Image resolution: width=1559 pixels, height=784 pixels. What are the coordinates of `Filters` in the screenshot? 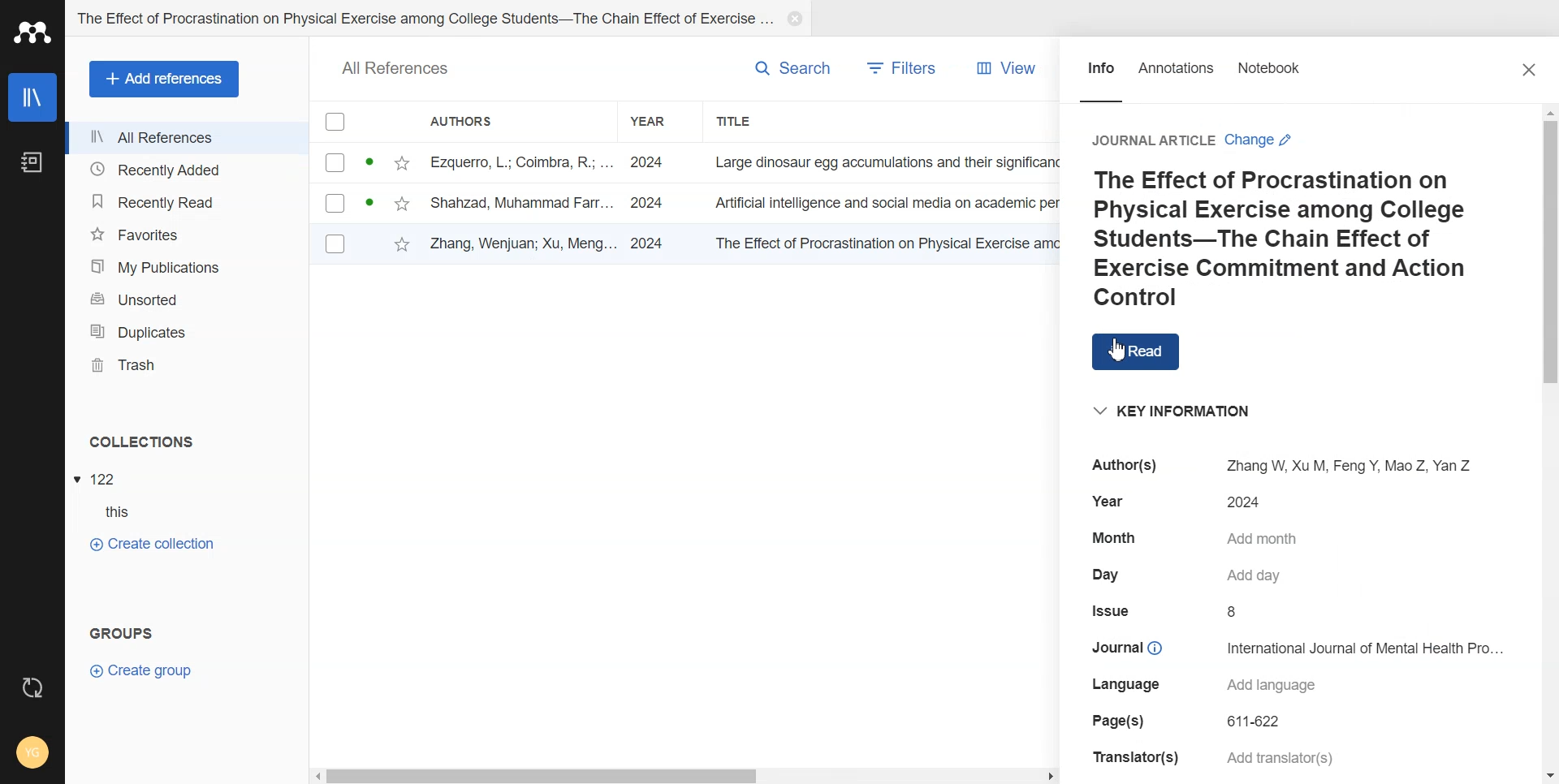 It's located at (904, 69).